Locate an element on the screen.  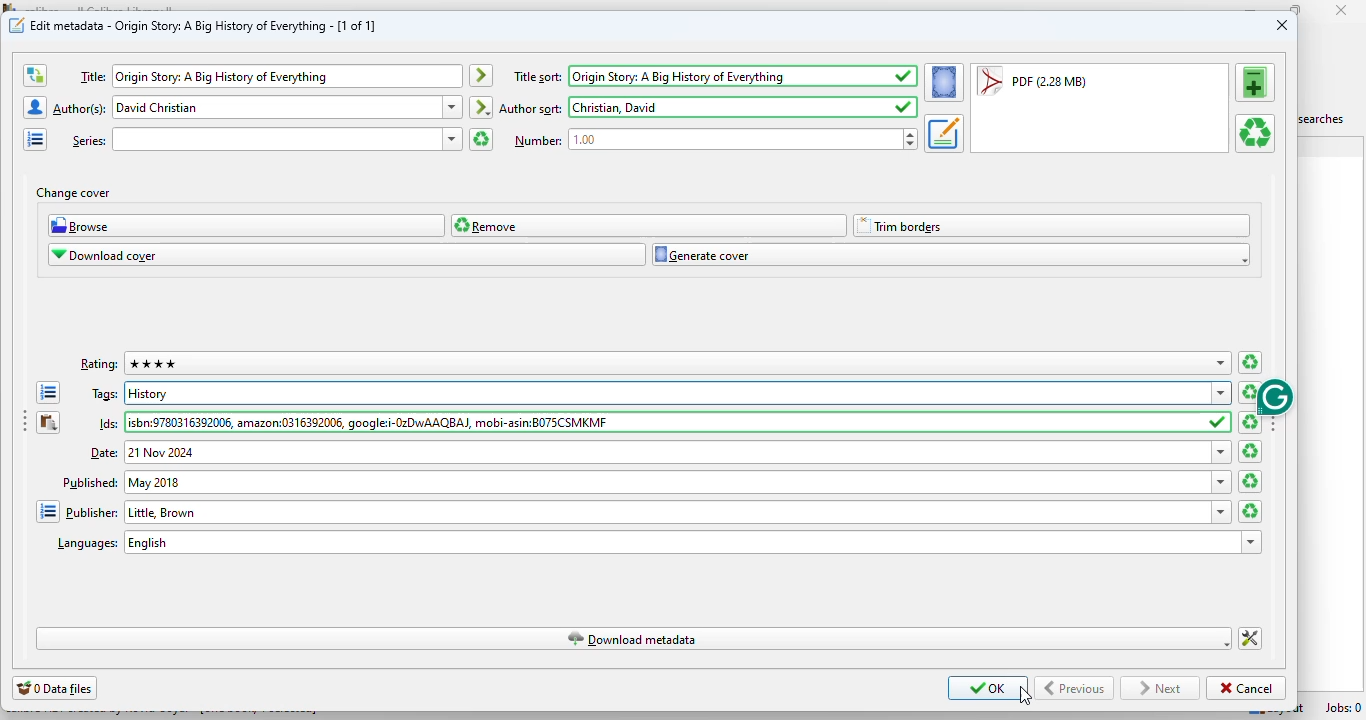
cancel is located at coordinates (1246, 689).